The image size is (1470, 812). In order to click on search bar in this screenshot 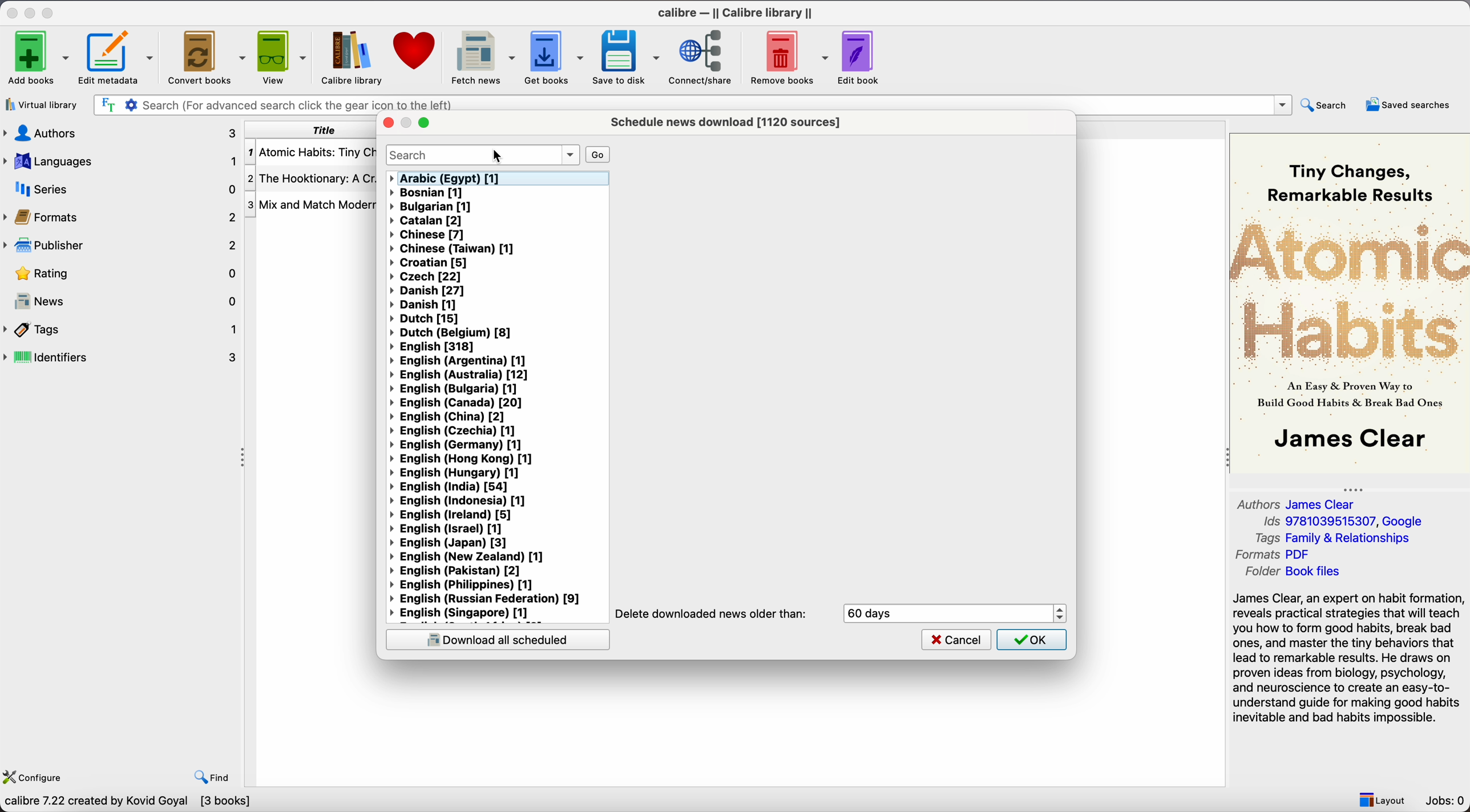, I will do `click(482, 155)`.